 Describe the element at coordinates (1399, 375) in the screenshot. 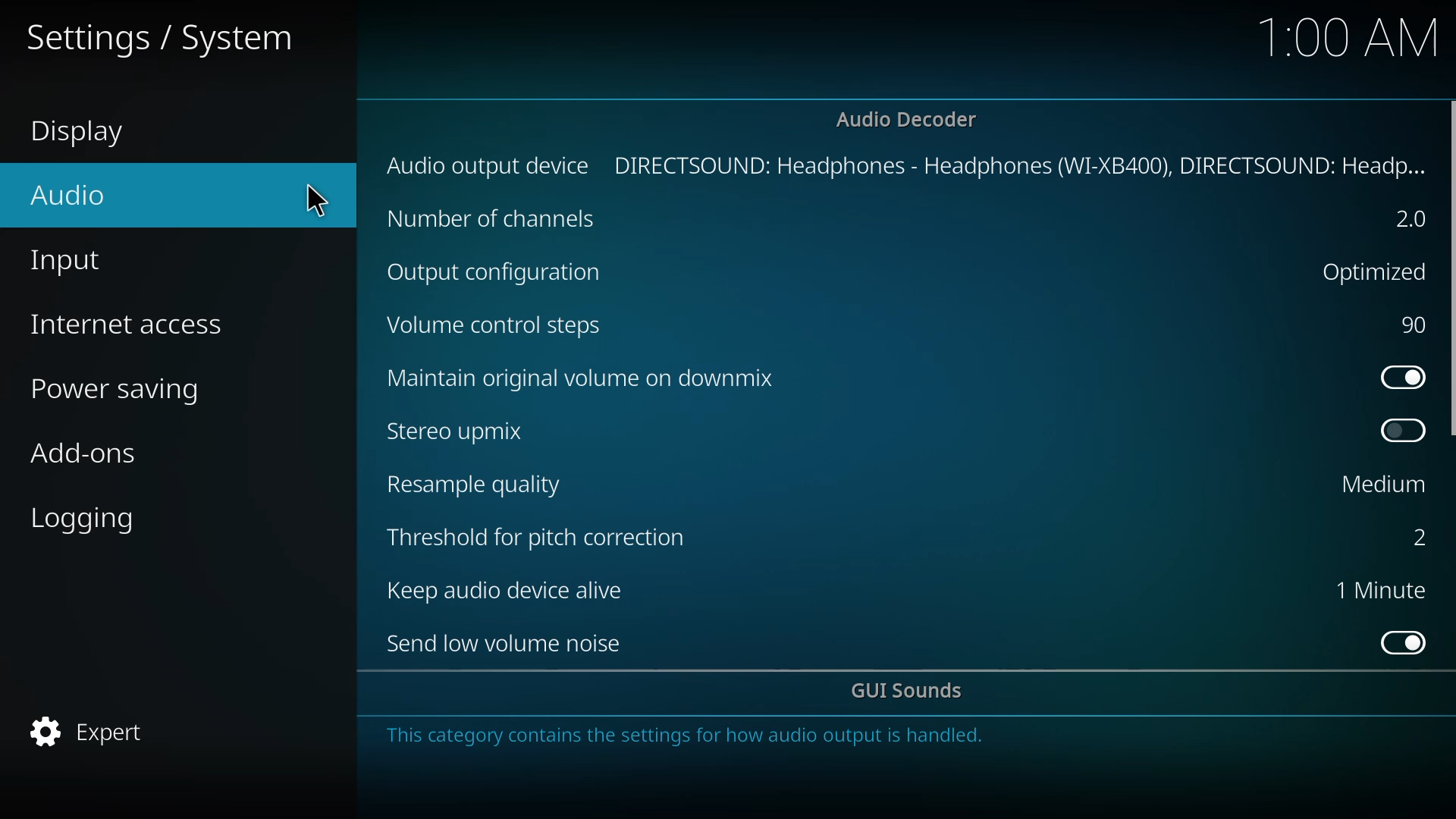

I see `enabled` at that location.